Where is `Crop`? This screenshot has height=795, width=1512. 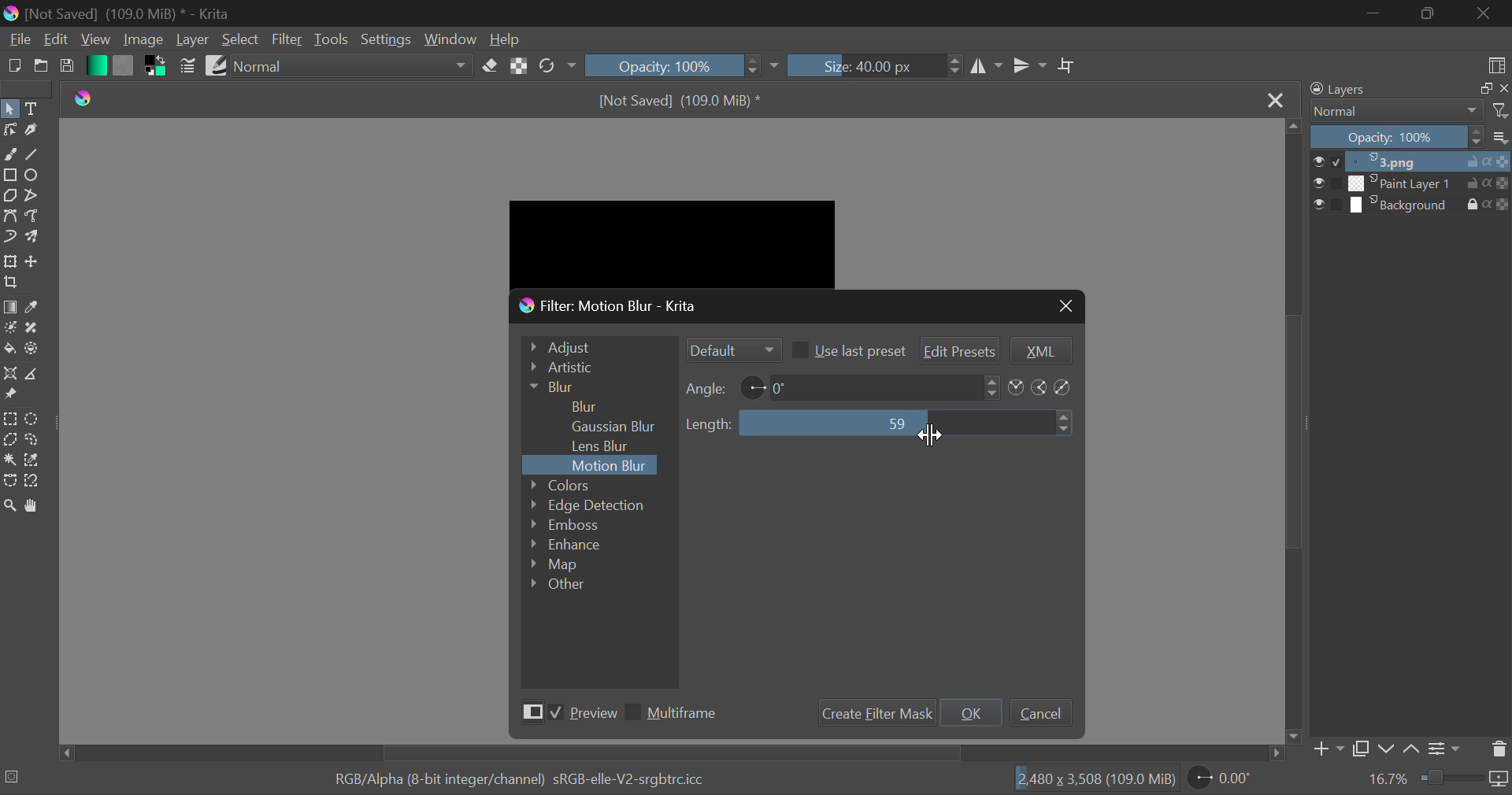
Crop is located at coordinates (11, 283).